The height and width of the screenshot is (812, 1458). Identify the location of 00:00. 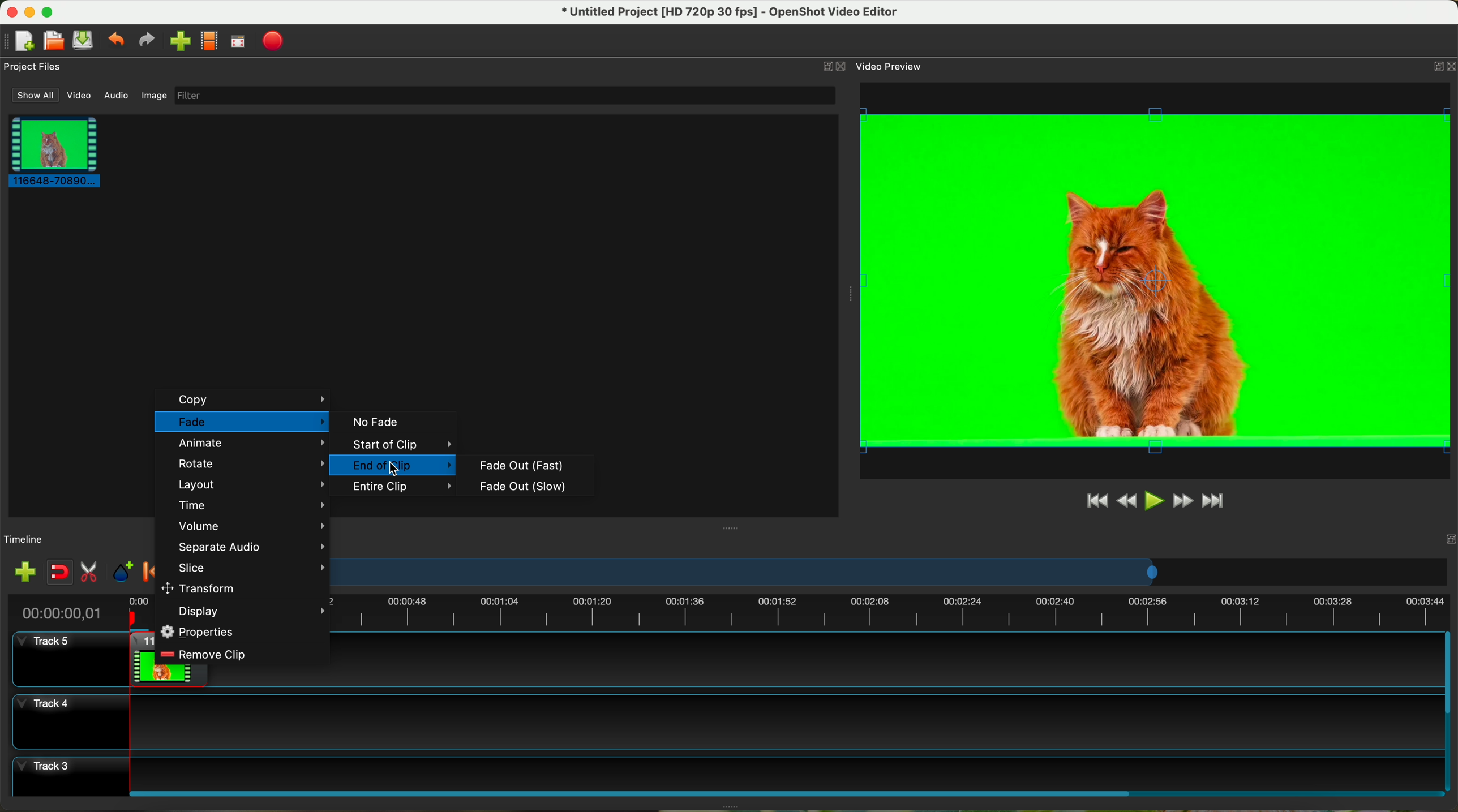
(140, 612).